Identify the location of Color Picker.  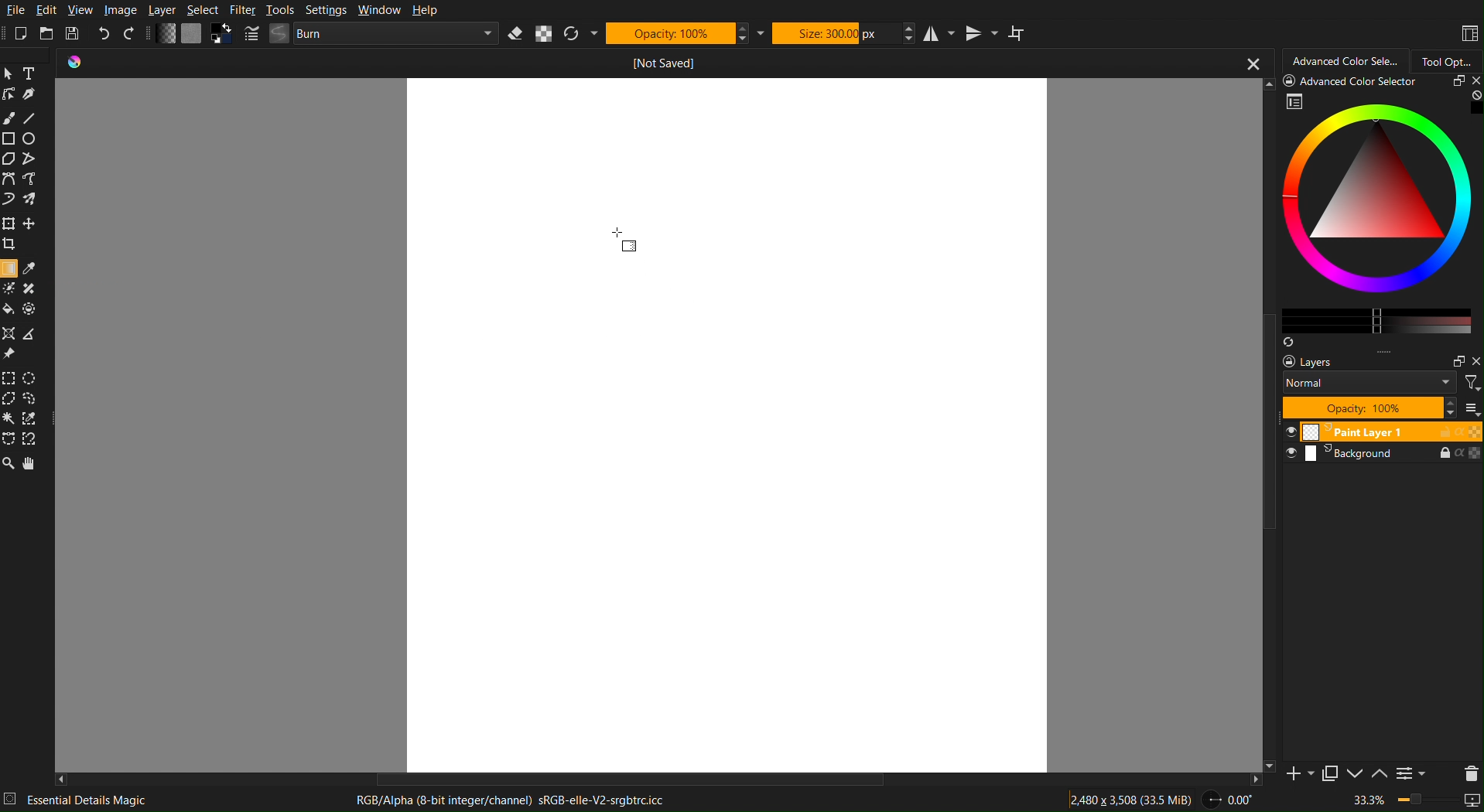
(32, 268).